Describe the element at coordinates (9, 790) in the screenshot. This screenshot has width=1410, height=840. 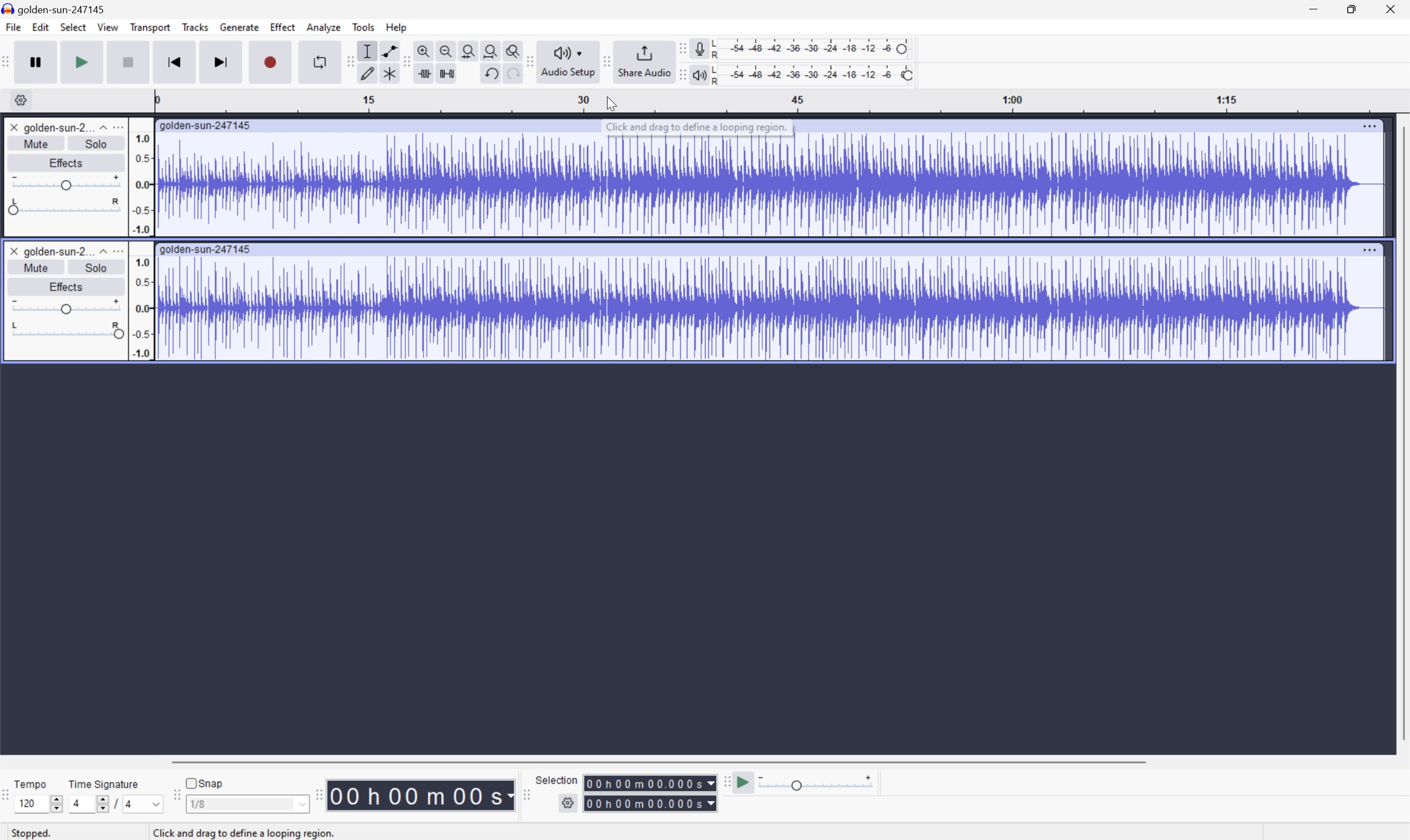
I see `Audacity Time signature toolbar` at that location.